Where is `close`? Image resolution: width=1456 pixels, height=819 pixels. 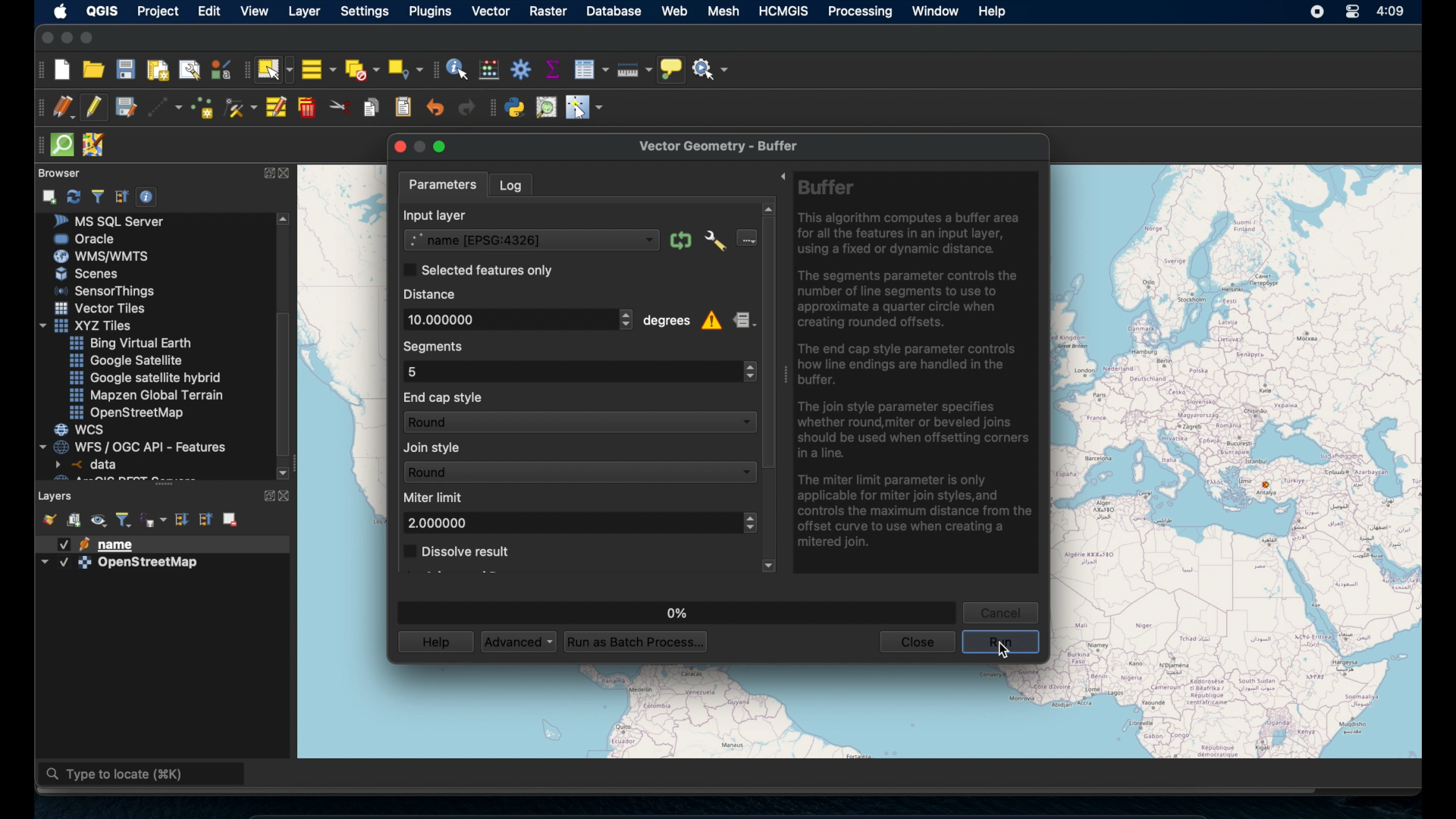
close is located at coordinates (397, 147).